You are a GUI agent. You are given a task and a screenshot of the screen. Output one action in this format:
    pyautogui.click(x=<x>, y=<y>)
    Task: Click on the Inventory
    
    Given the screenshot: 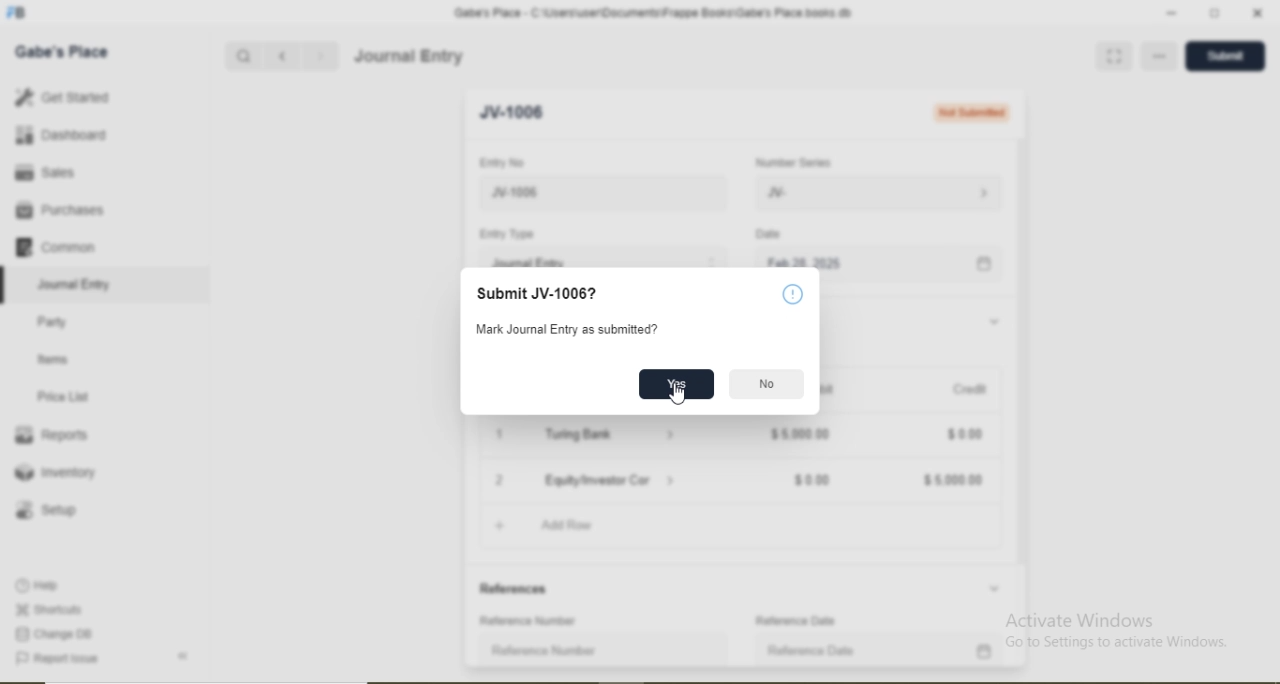 What is the action you would take?
    pyautogui.click(x=56, y=472)
    